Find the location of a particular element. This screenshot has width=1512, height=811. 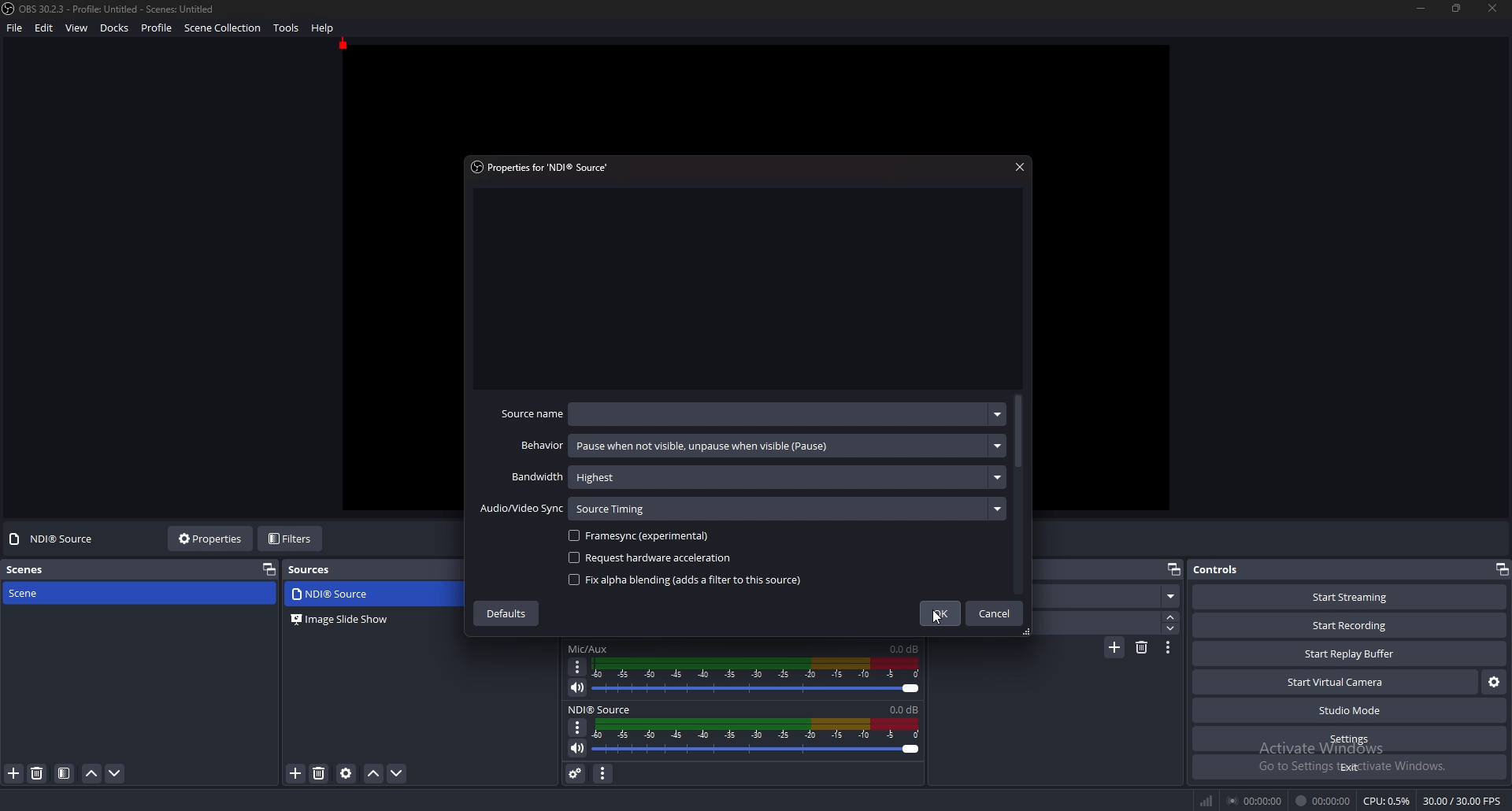

advanced audio properties is located at coordinates (576, 773).